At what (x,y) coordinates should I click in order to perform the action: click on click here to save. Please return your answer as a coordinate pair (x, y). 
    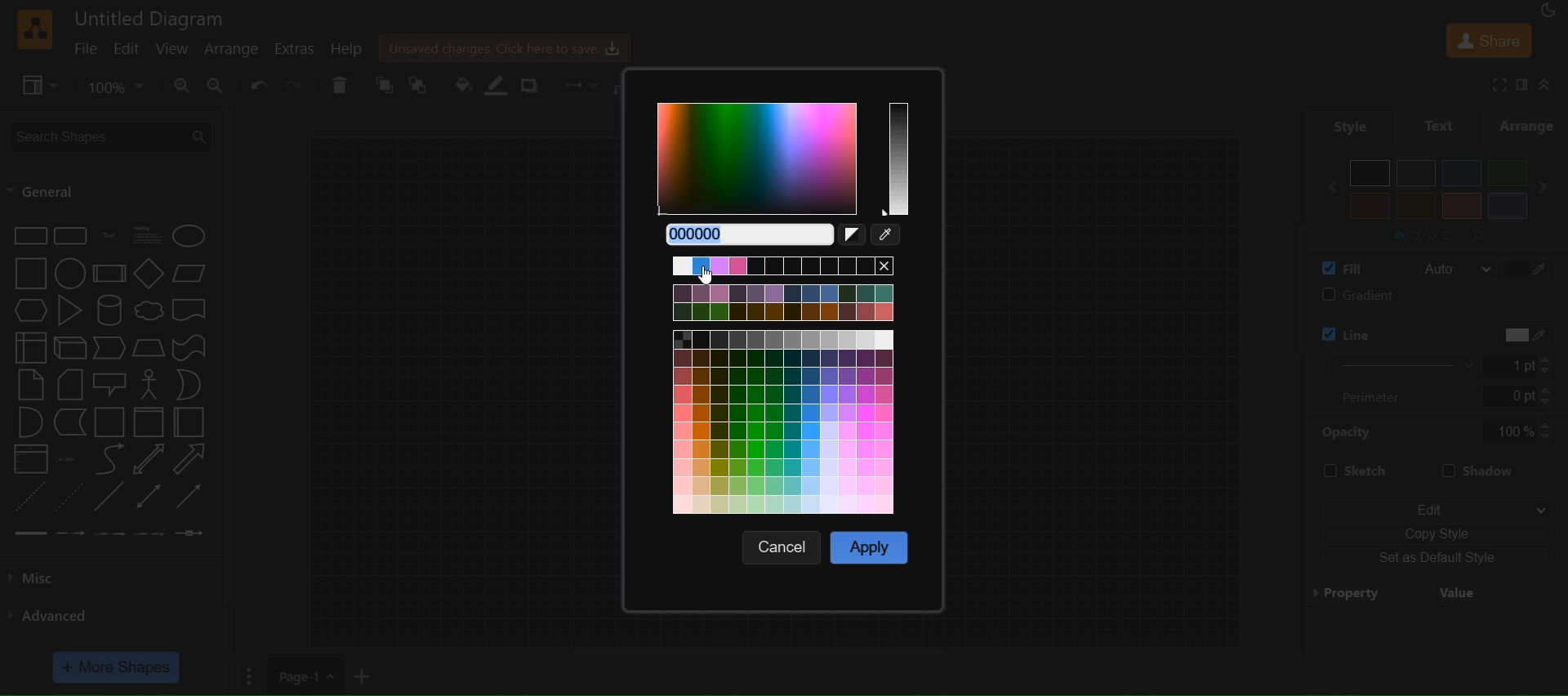
    Looking at the image, I should click on (506, 47).